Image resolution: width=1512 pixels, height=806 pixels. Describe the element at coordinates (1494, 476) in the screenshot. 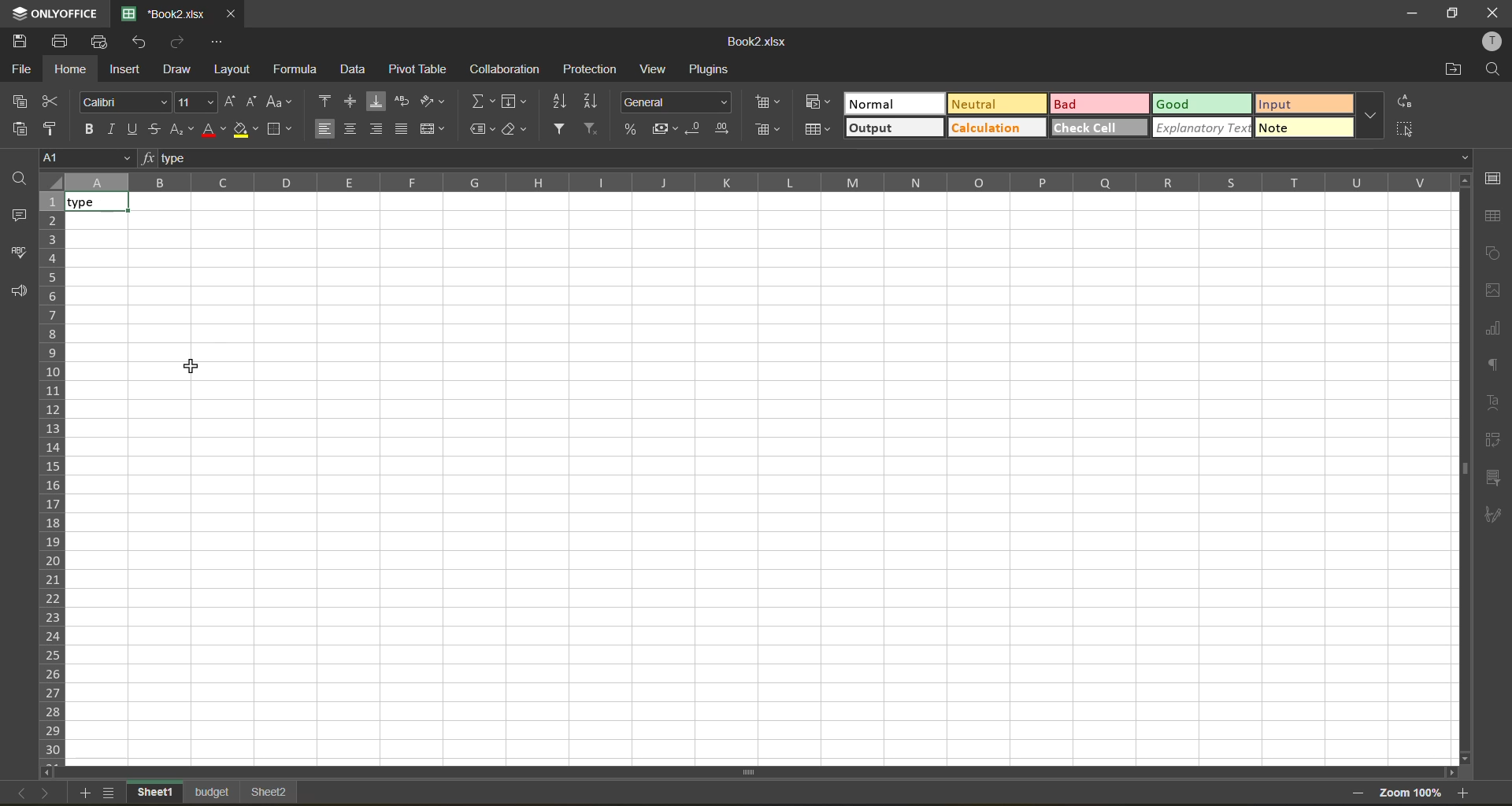

I see `slicer` at that location.